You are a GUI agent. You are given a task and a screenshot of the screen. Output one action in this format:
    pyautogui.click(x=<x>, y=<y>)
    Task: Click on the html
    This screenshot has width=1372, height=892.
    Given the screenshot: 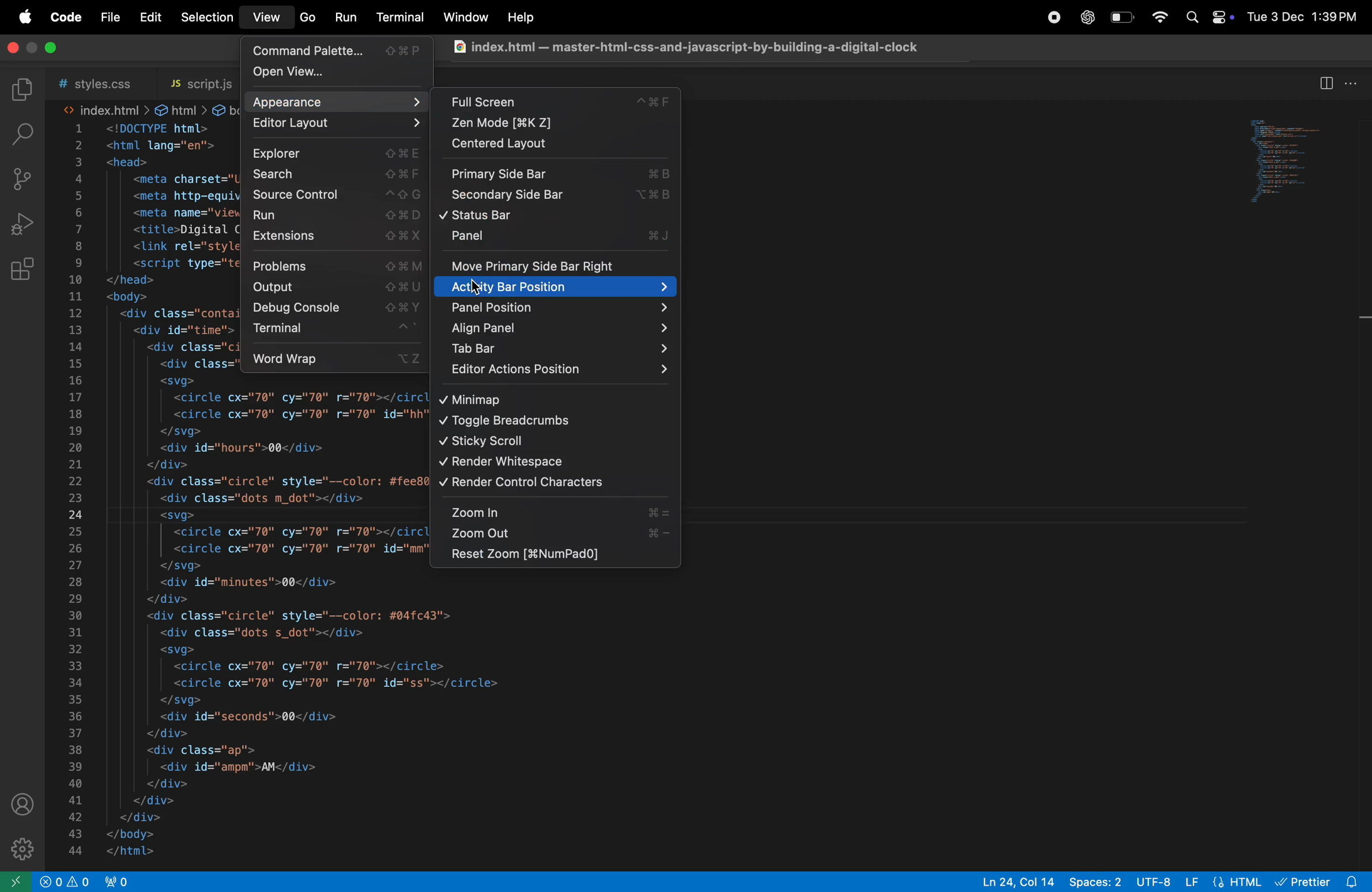 What is the action you would take?
    pyautogui.click(x=179, y=109)
    